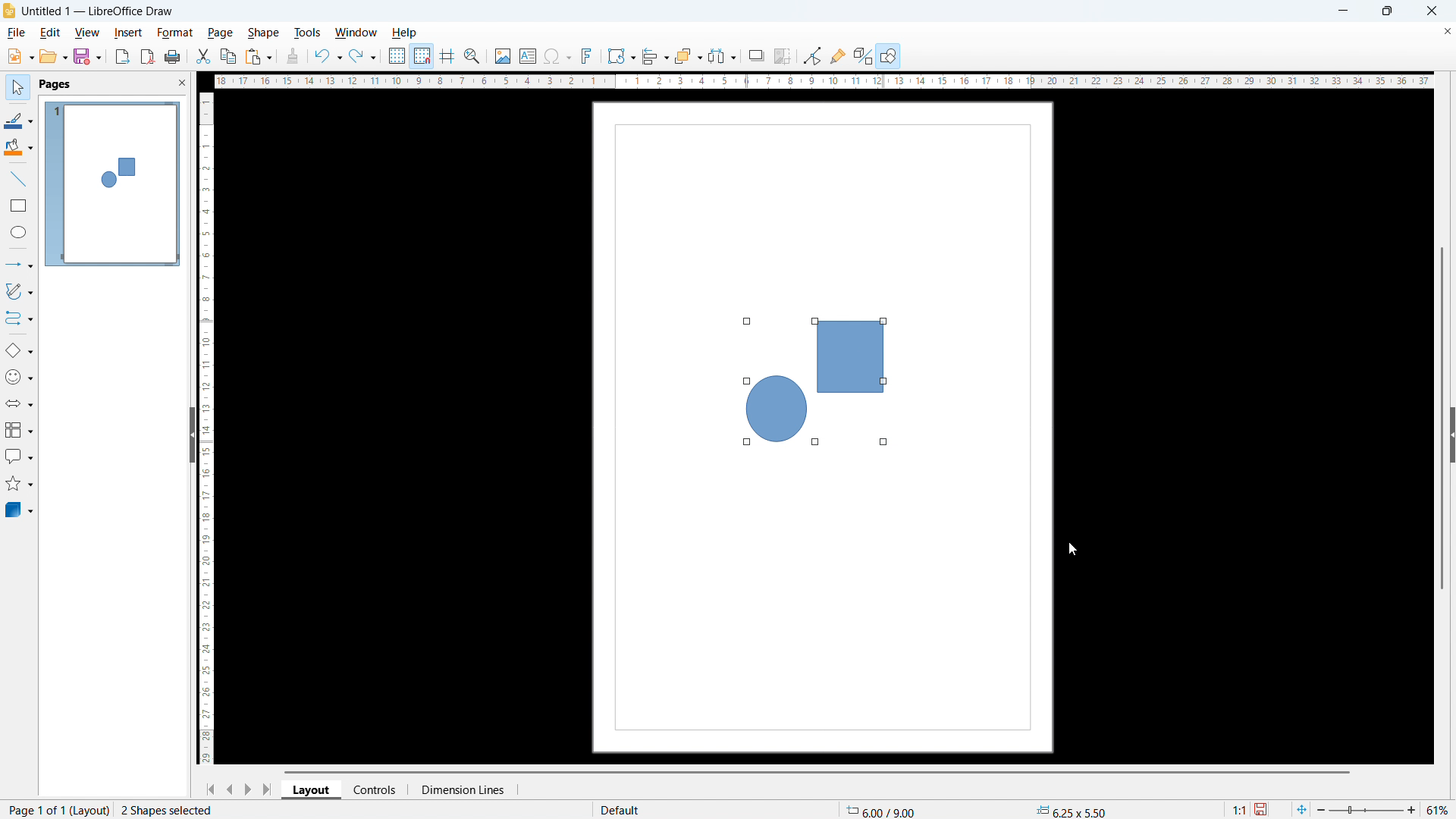  Describe the element at coordinates (98, 11) in the screenshot. I see `document title` at that location.